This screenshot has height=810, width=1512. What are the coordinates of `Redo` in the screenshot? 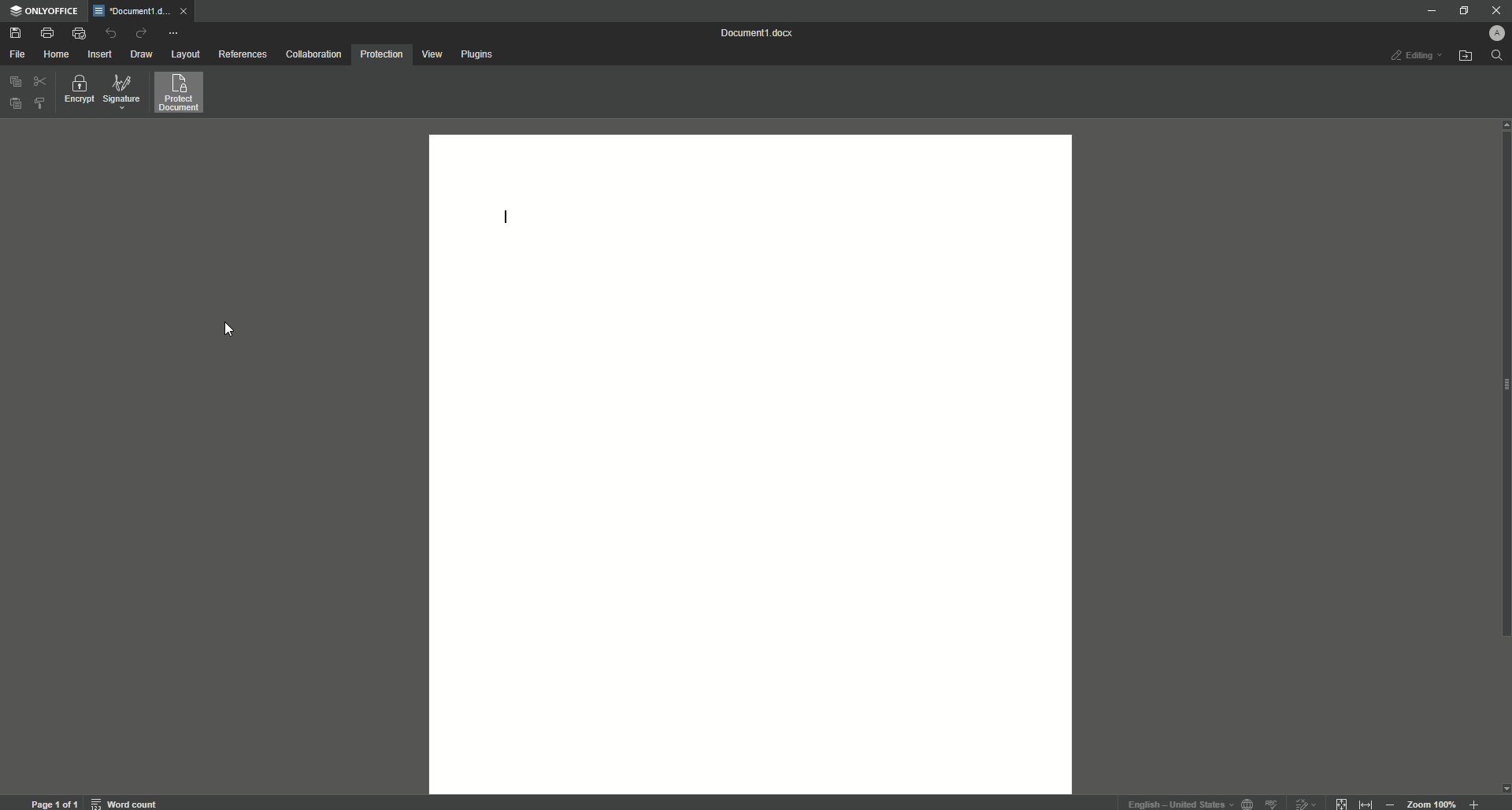 It's located at (144, 34).